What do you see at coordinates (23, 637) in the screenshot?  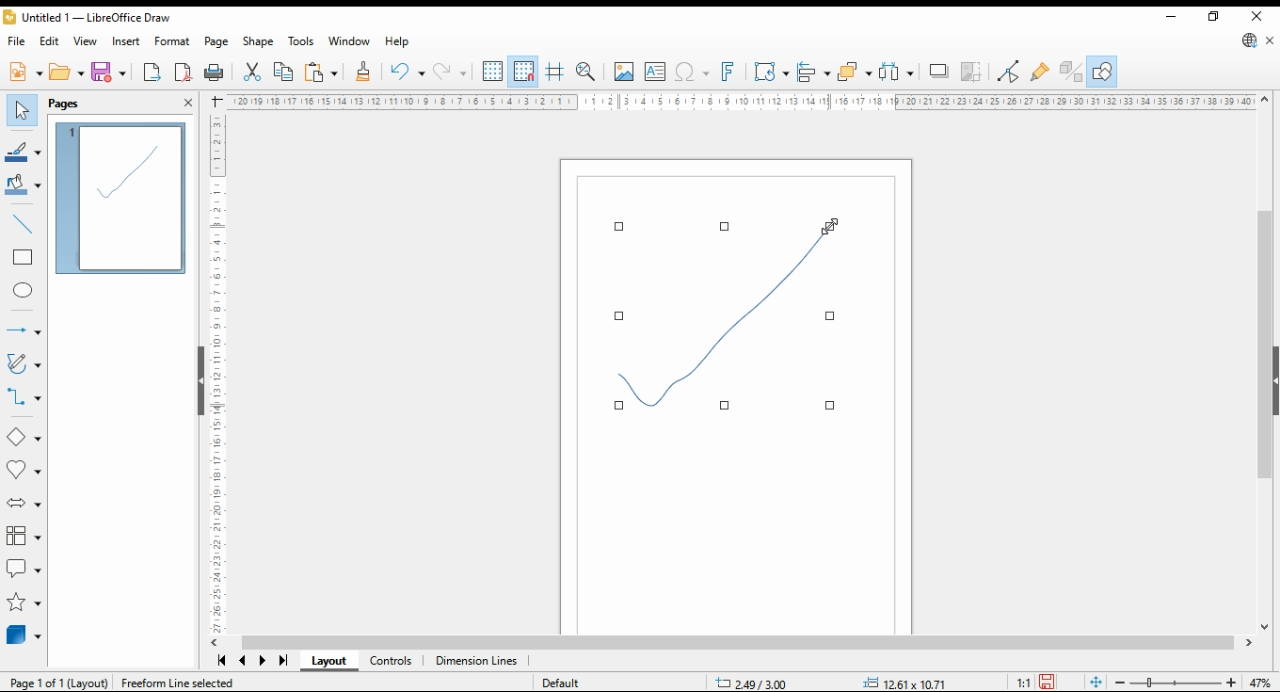 I see `3D objects` at bounding box center [23, 637].